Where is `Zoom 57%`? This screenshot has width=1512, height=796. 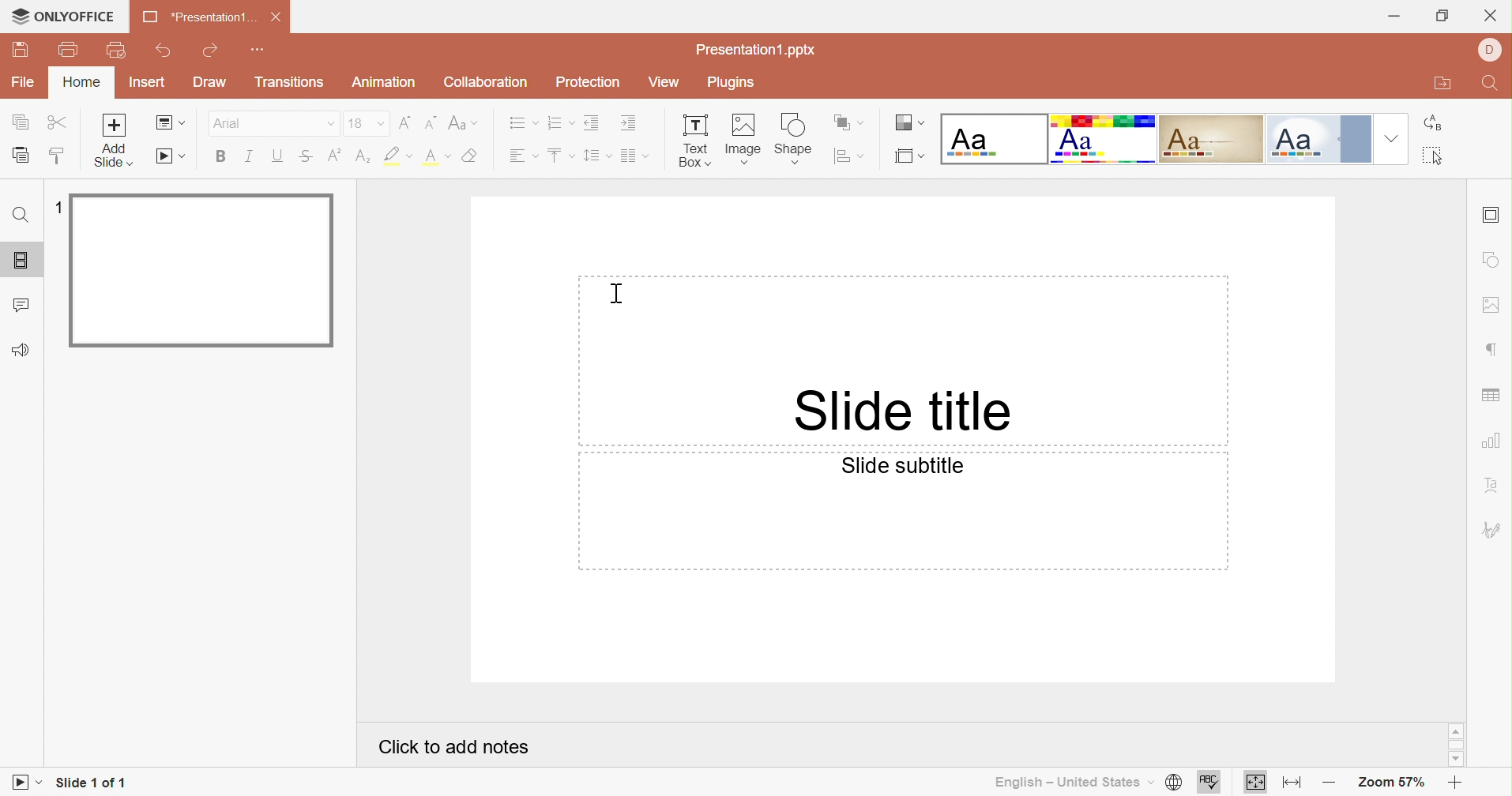 Zoom 57% is located at coordinates (1390, 783).